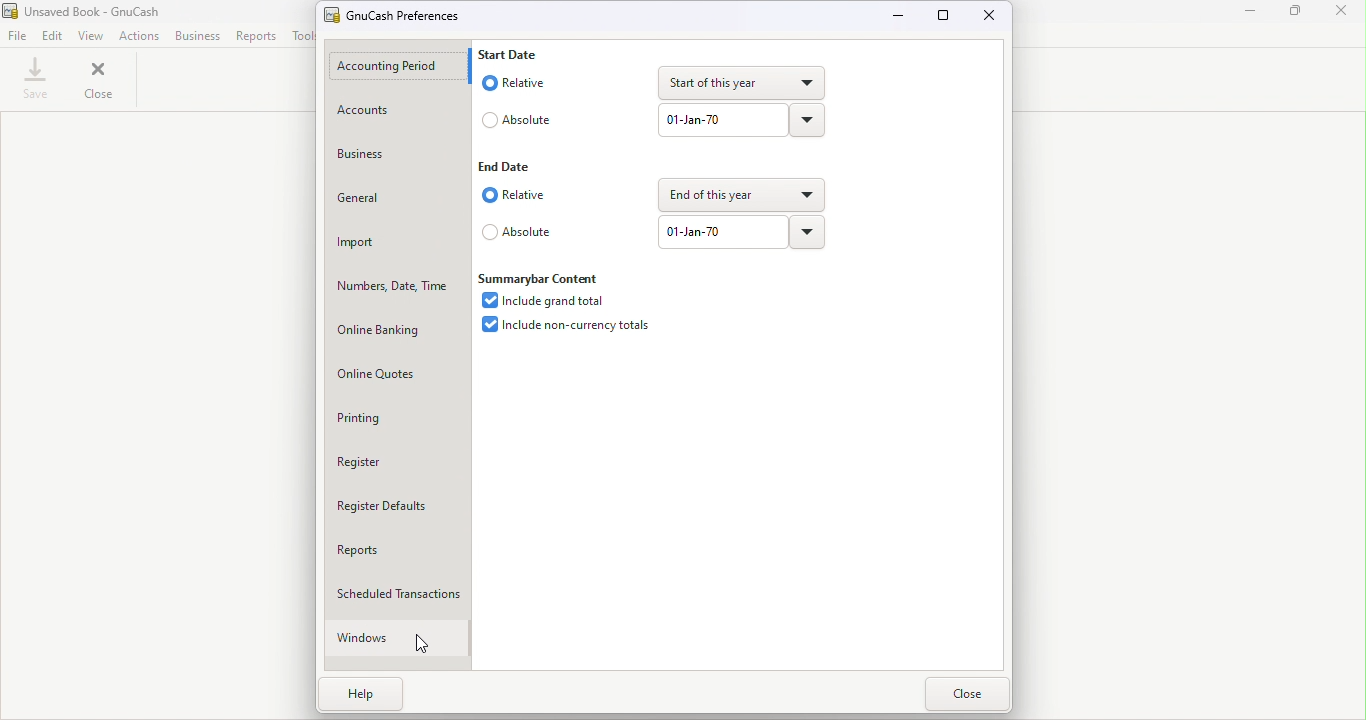 The image size is (1366, 720). What do you see at coordinates (564, 328) in the screenshot?
I see `Include non currency totals` at bounding box center [564, 328].